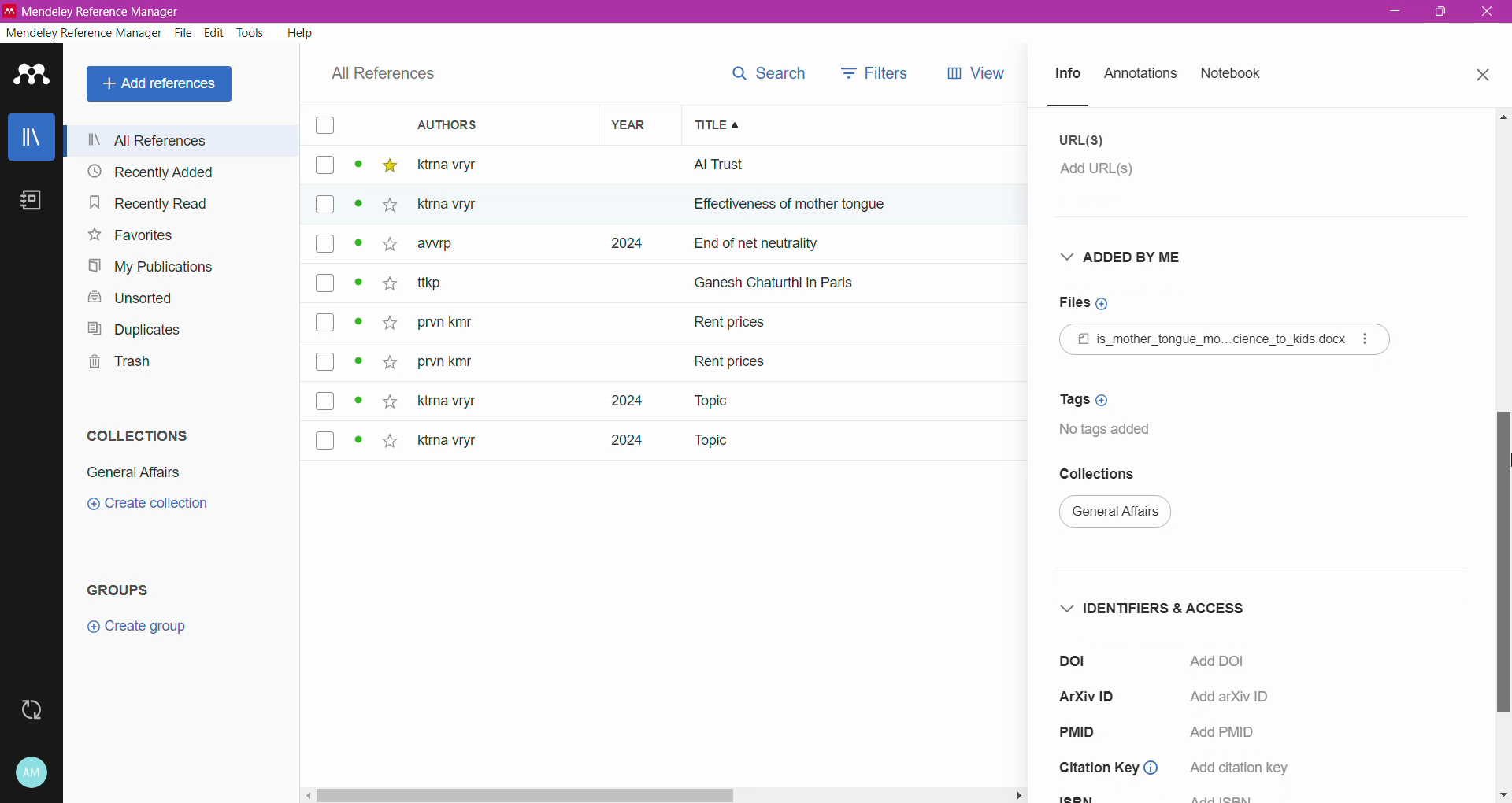  I want to click on 2024, so click(623, 244).